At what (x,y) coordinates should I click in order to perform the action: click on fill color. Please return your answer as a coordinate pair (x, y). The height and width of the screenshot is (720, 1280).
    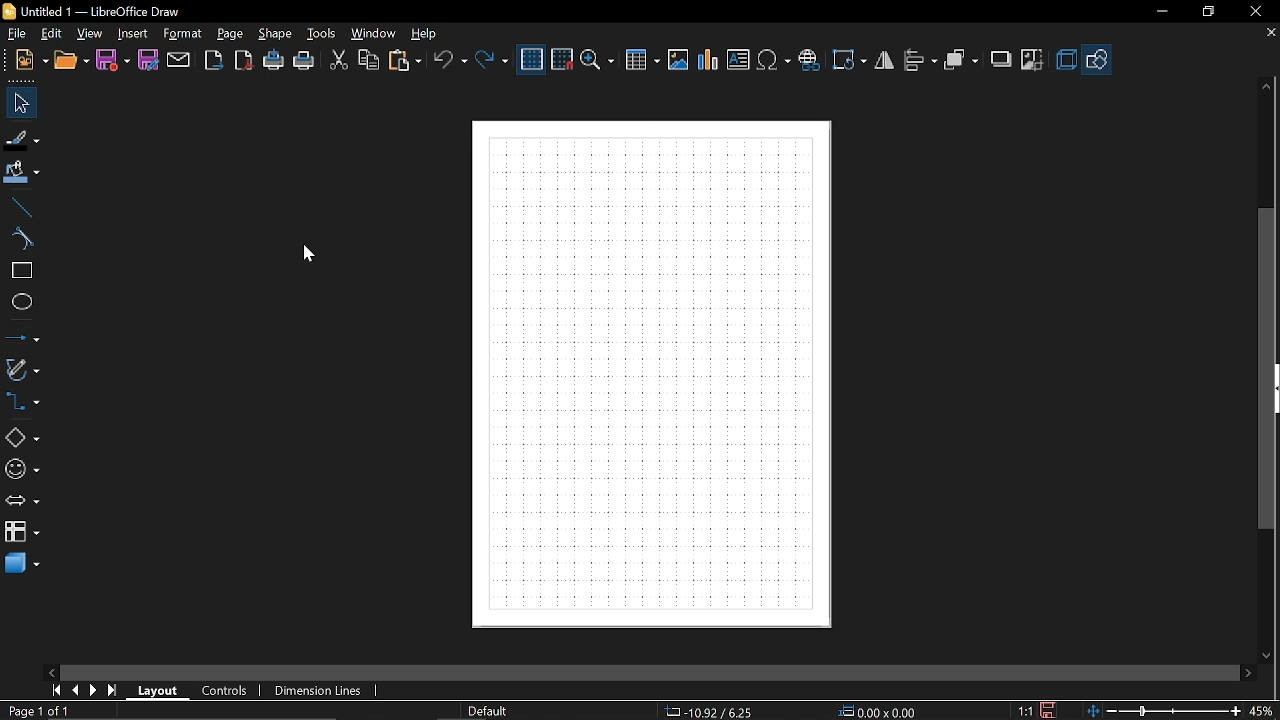
    Looking at the image, I should click on (23, 173).